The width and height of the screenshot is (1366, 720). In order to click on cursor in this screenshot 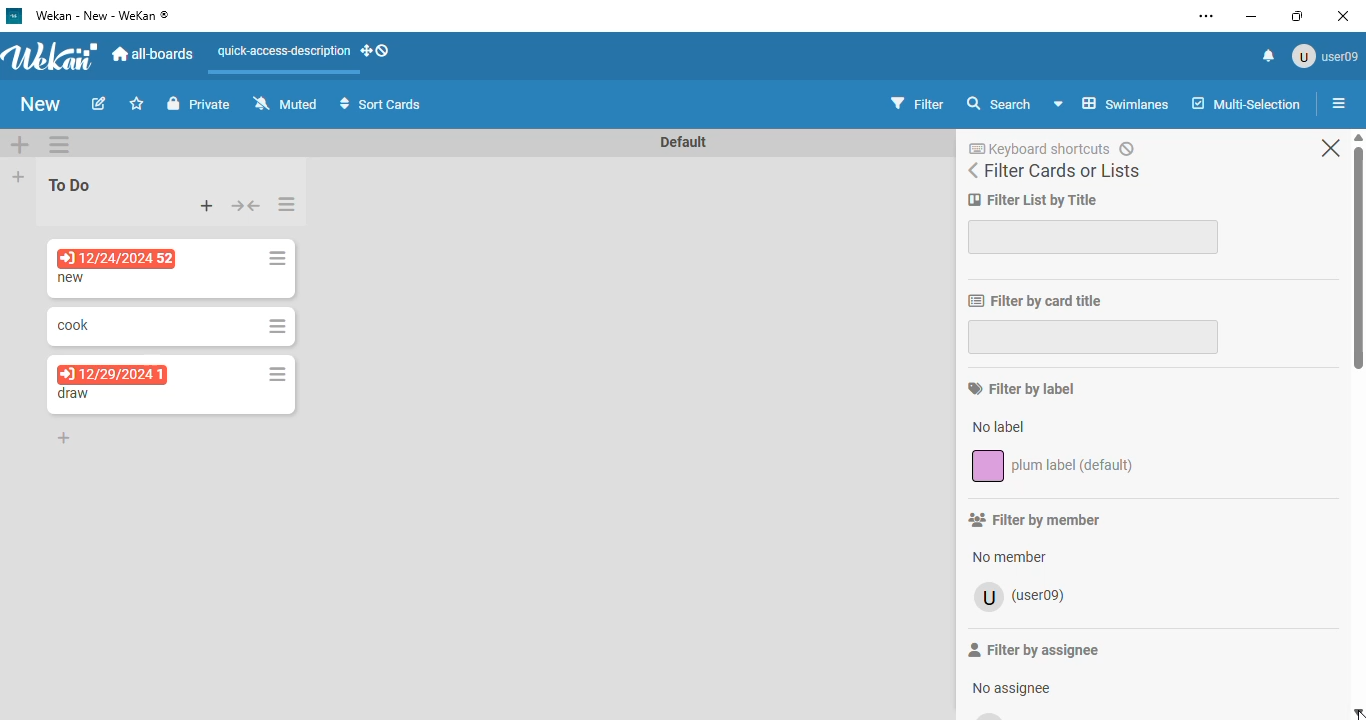, I will do `click(1361, 714)`.